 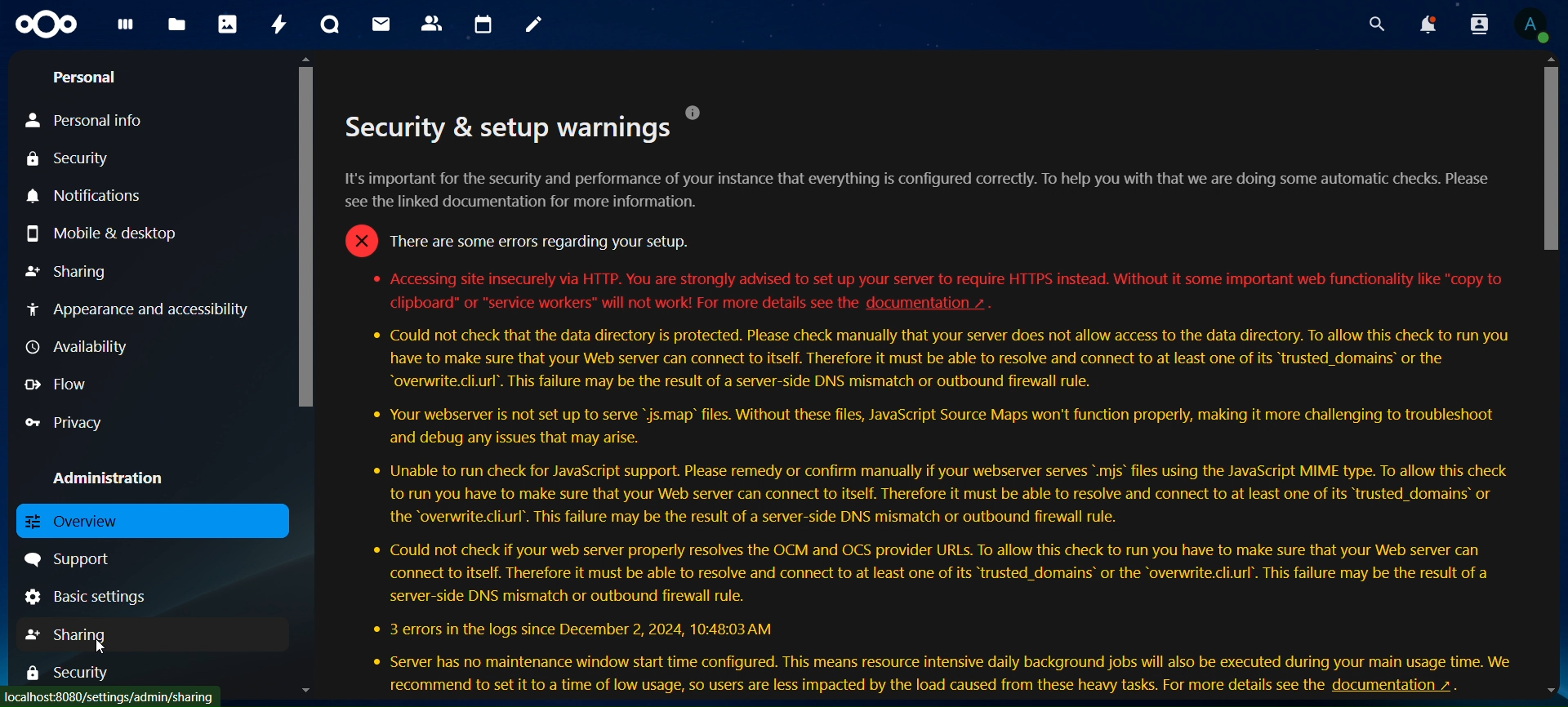 I want to click on dashboard, so click(x=124, y=27).